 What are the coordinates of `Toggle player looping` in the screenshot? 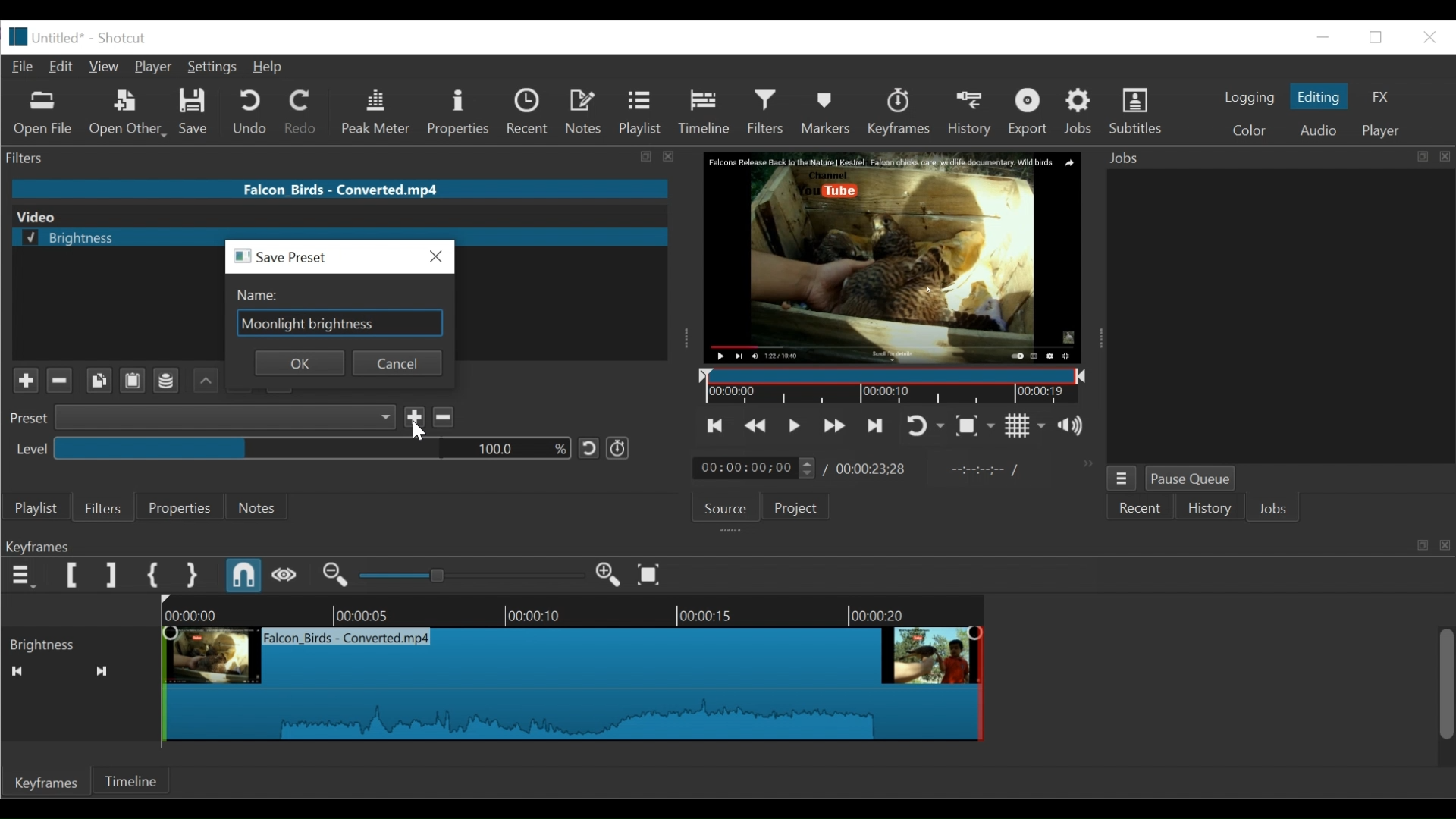 It's located at (923, 427).